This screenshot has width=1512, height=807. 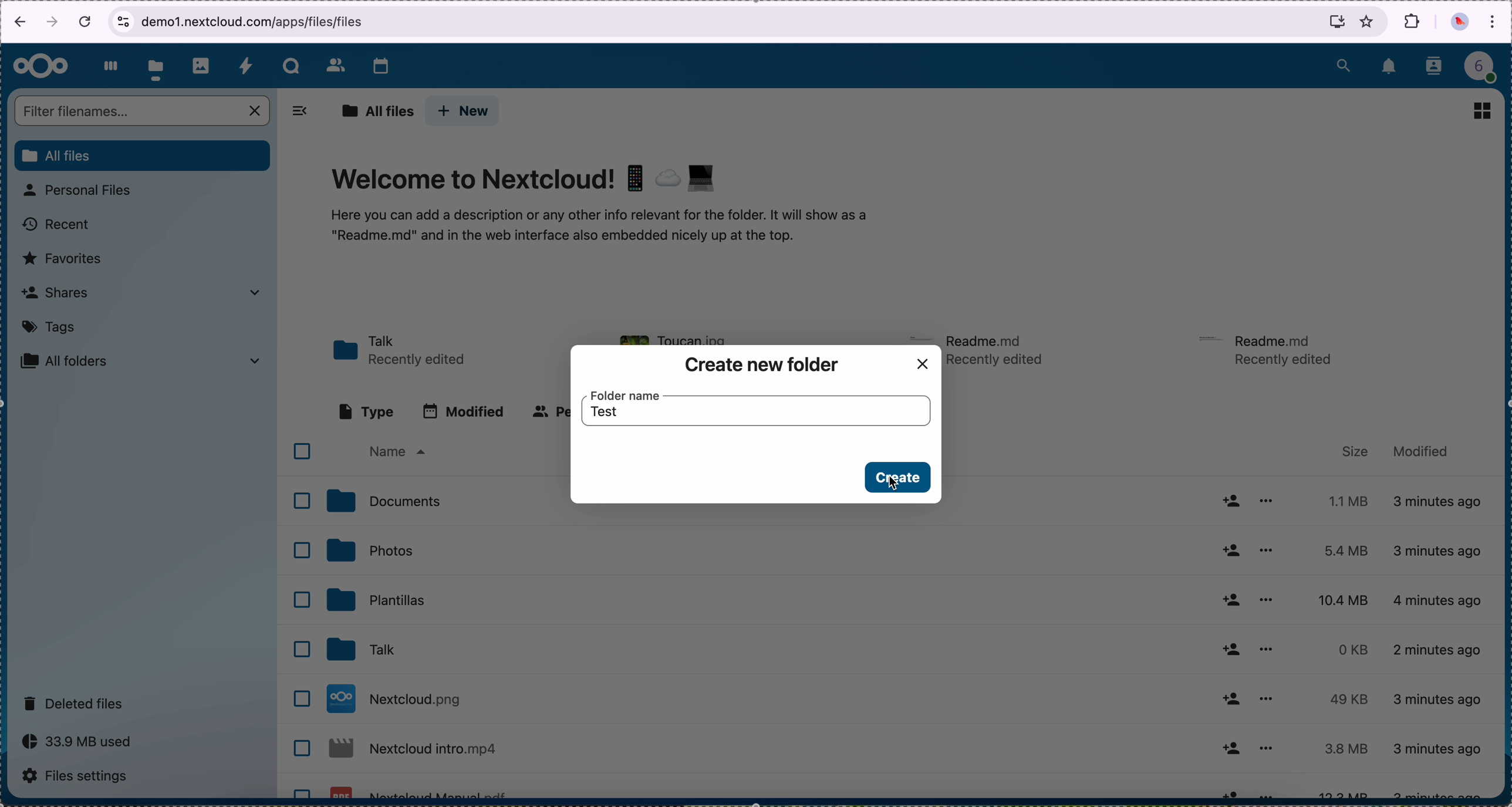 What do you see at coordinates (144, 112) in the screenshot?
I see `search bar` at bounding box center [144, 112].